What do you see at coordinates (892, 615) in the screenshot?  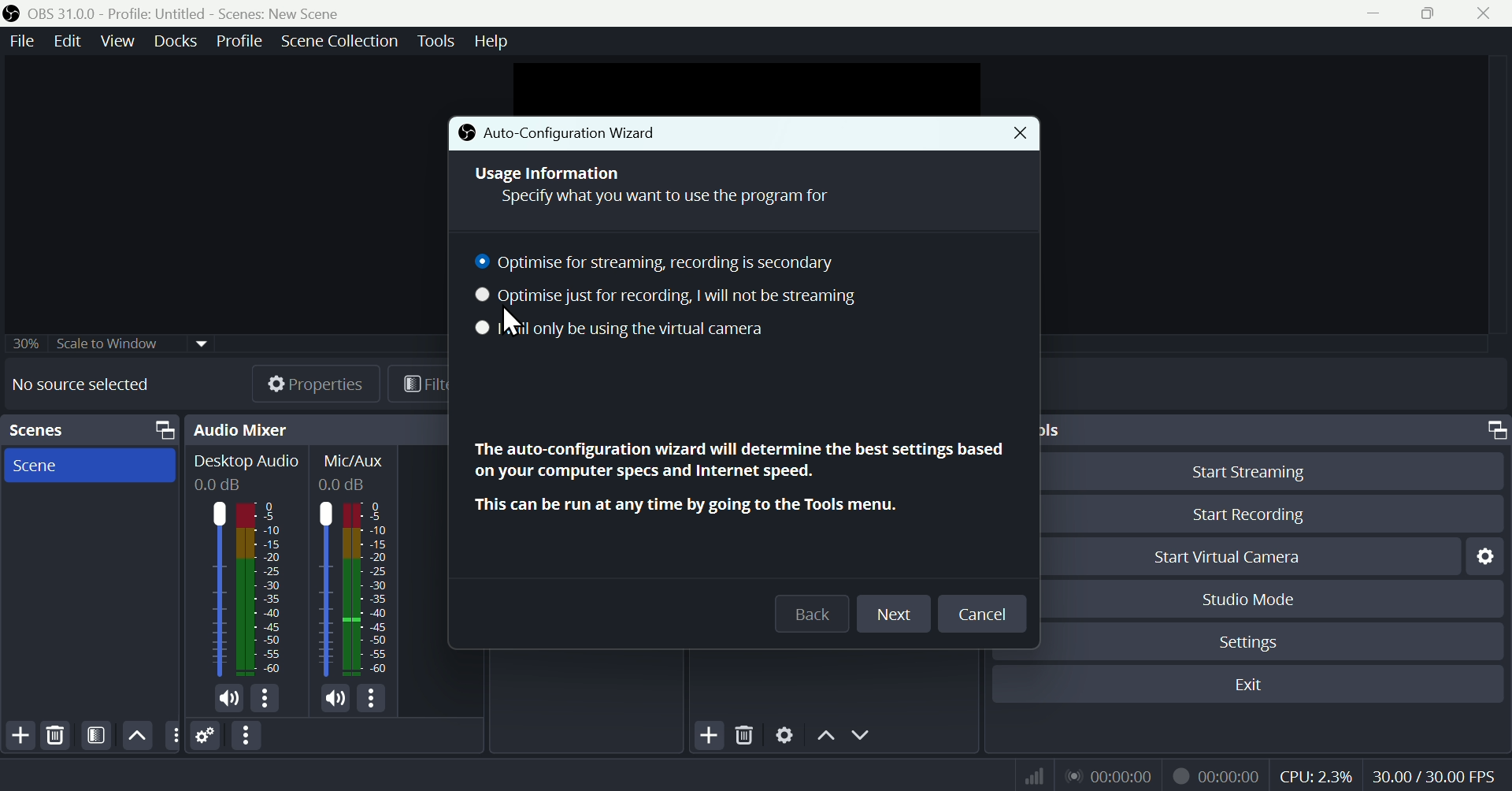 I see `Next` at bounding box center [892, 615].